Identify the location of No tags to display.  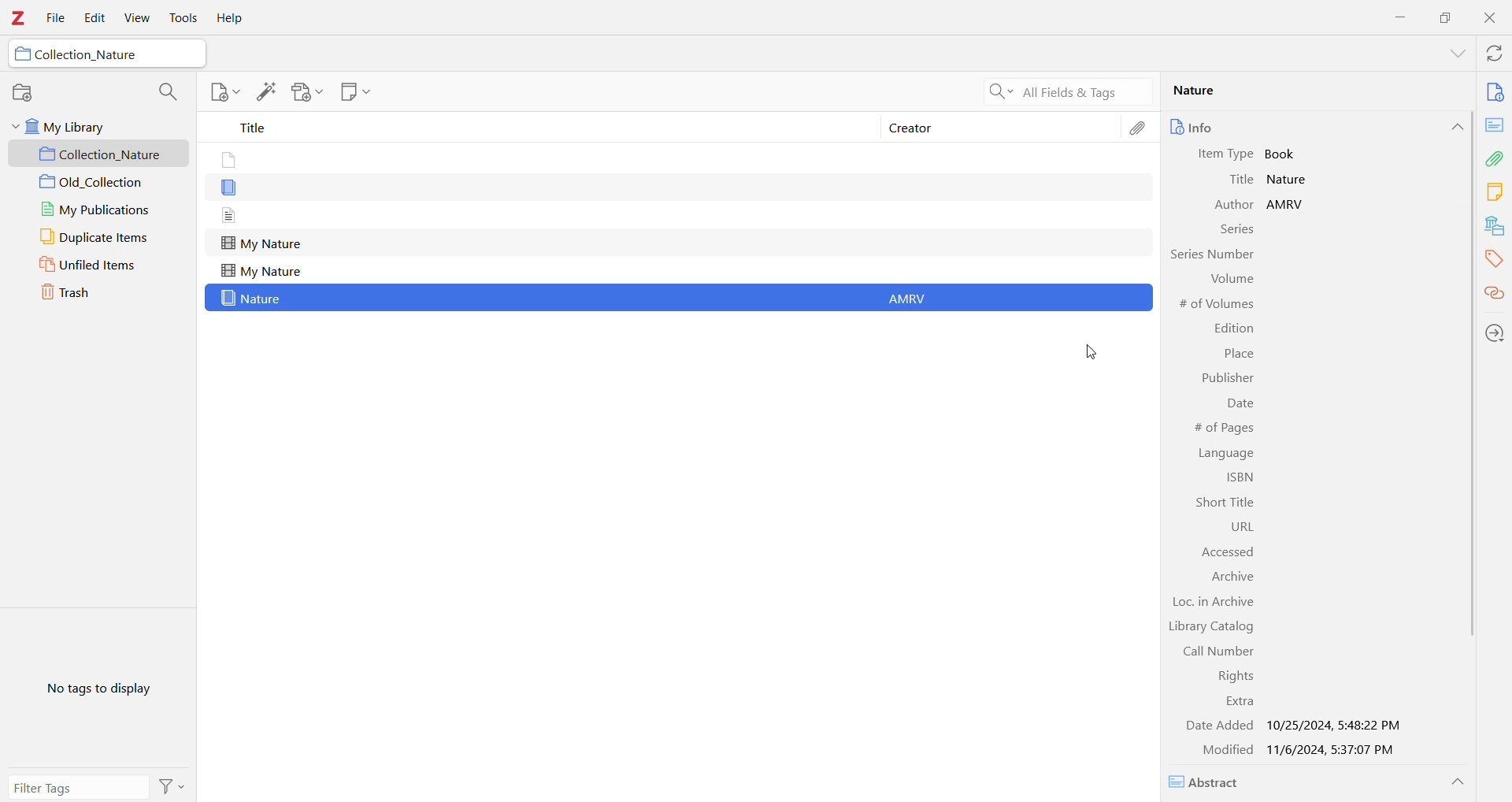
(103, 687).